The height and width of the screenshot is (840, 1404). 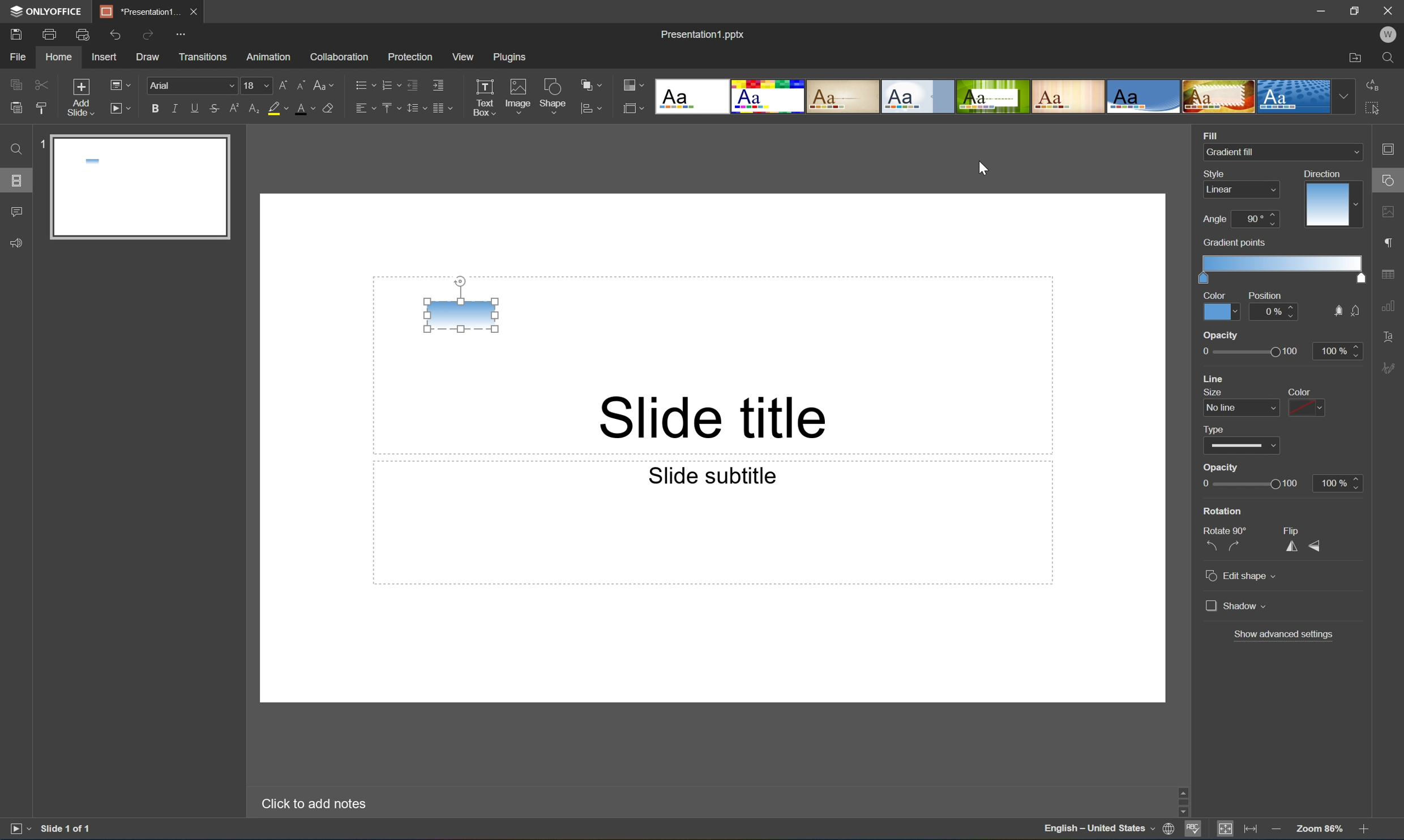 I want to click on Highlight, so click(x=279, y=109).